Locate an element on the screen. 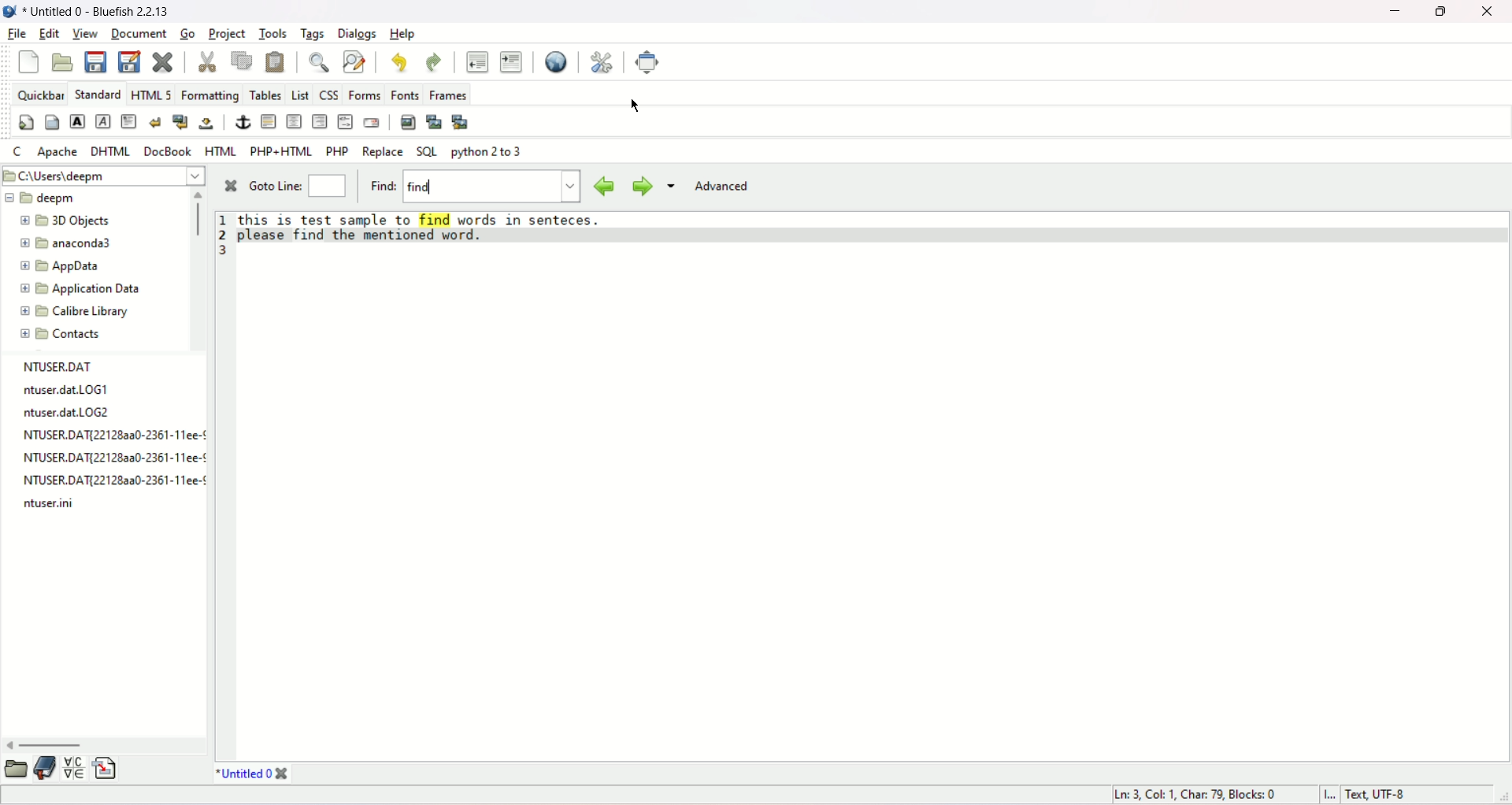 This screenshot has width=1512, height=805. close current file is located at coordinates (162, 61).